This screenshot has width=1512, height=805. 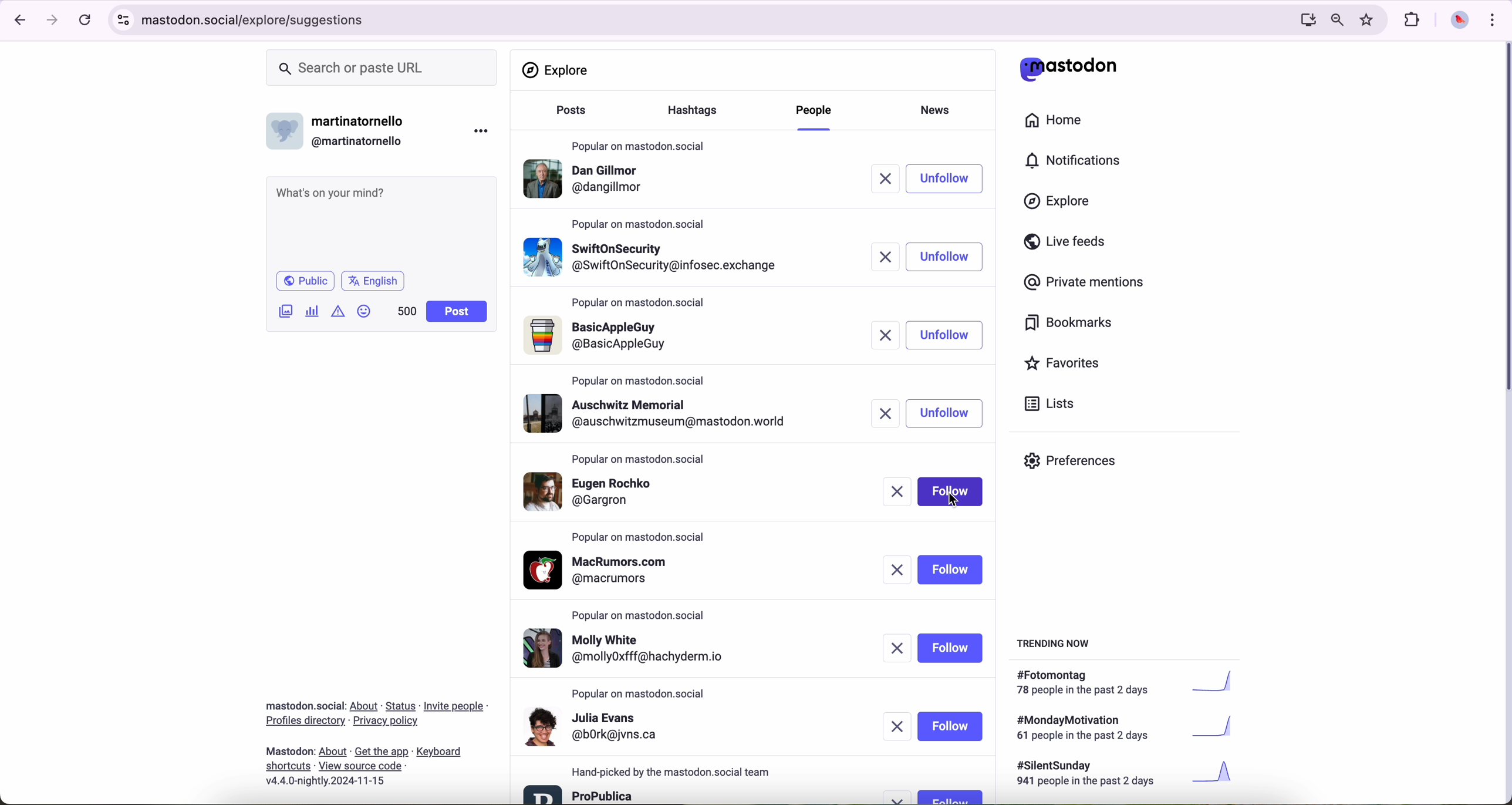 What do you see at coordinates (124, 20) in the screenshot?
I see `controls` at bounding box center [124, 20].